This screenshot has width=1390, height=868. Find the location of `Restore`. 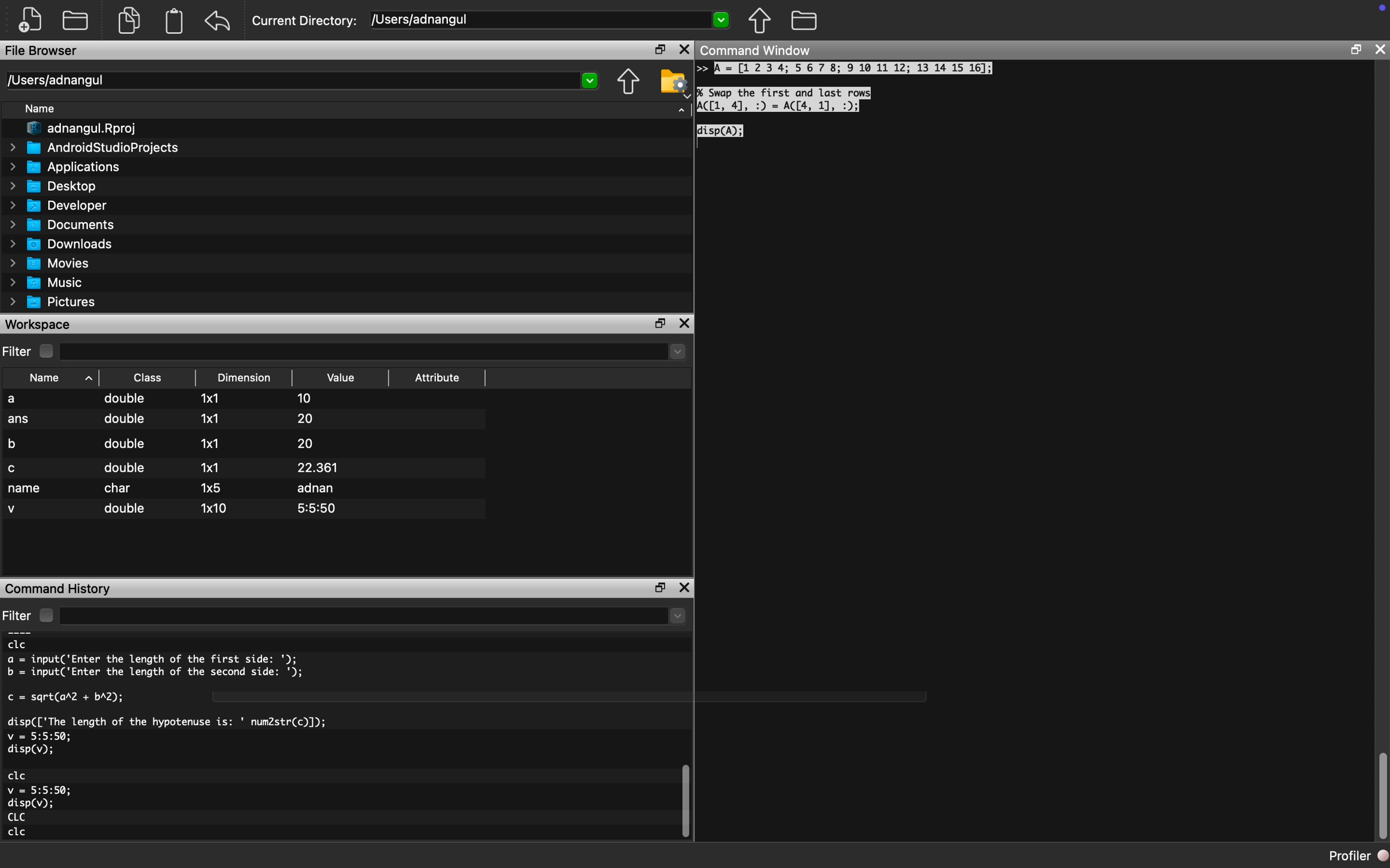

Restore is located at coordinates (655, 586).